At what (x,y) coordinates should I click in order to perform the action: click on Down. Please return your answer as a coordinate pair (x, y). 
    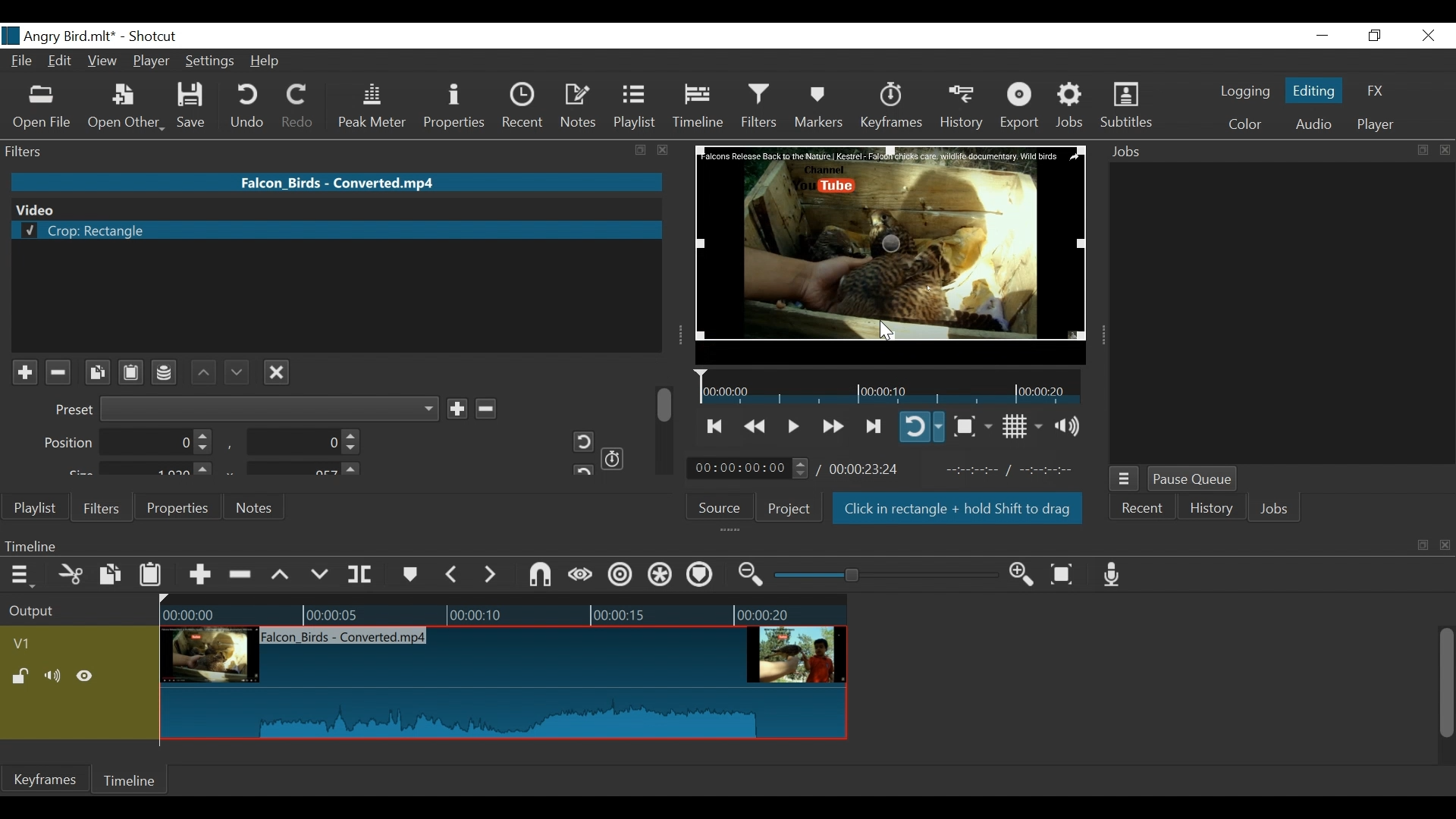
    Looking at the image, I should click on (234, 369).